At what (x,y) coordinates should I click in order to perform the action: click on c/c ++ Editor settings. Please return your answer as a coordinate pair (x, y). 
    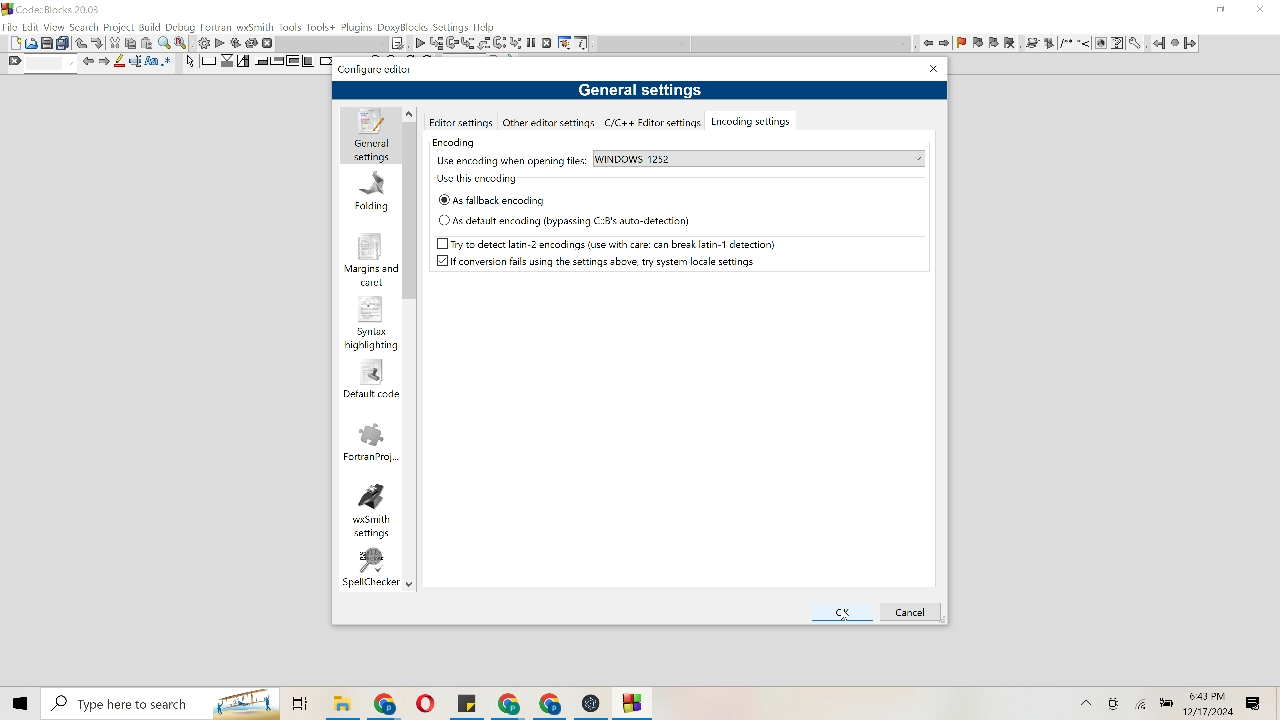
    Looking at the image, I should click on (652, 122).